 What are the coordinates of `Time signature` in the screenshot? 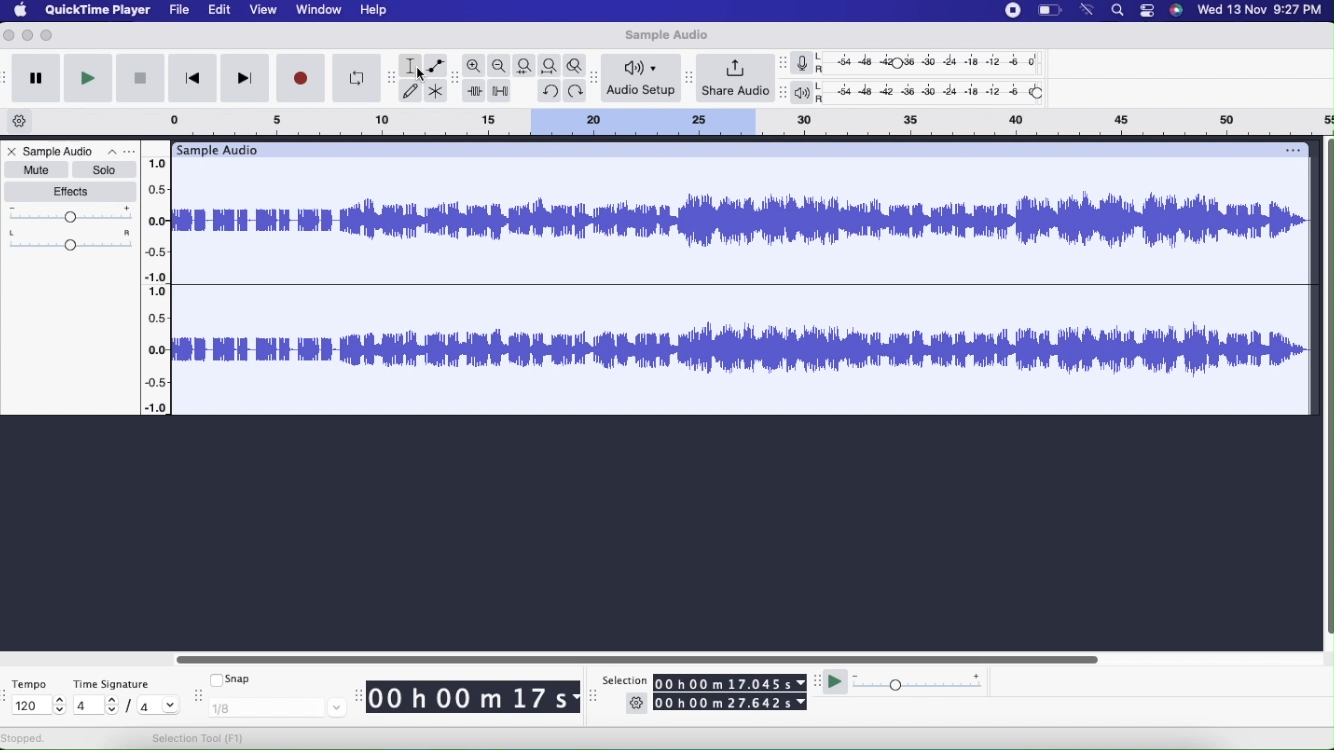 It's located at (118, 680).